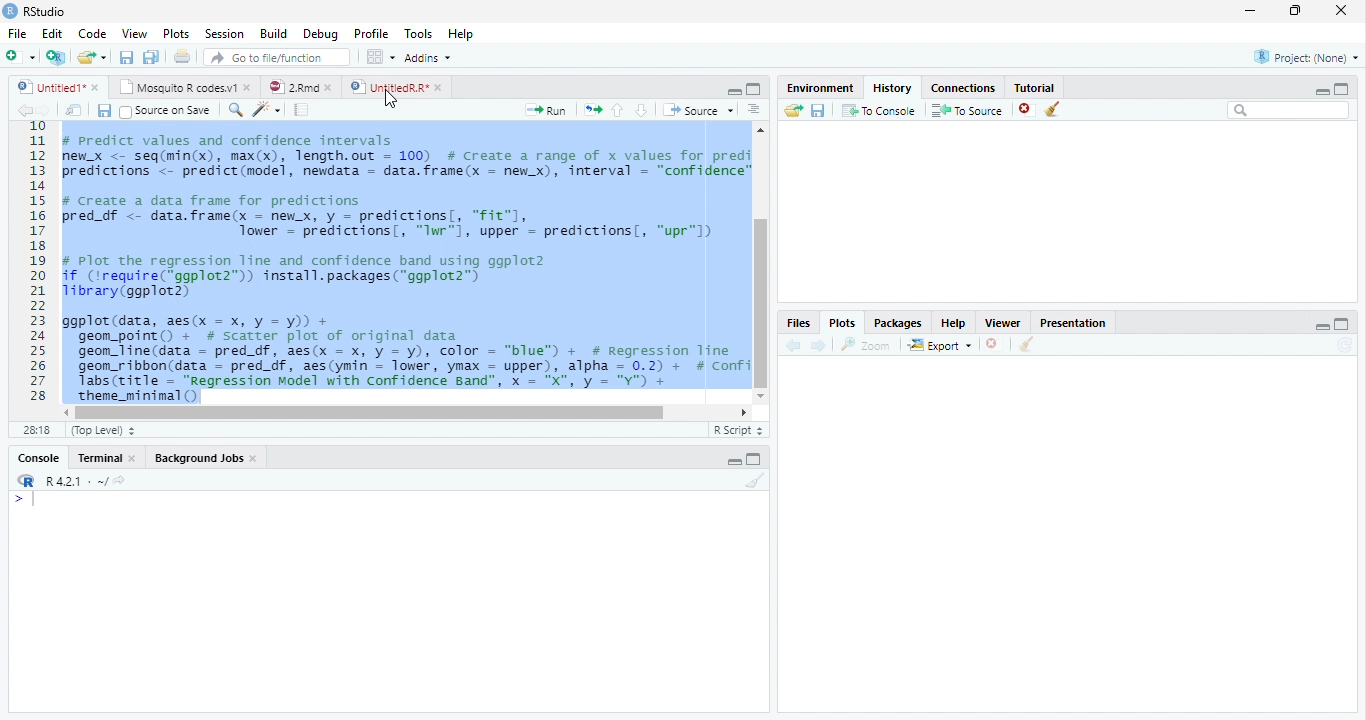 The height and width of the screenshot is (720, 1366). Describe the element at coordinates (734, 462) in the screenshot. I see `Minimize` at that location.